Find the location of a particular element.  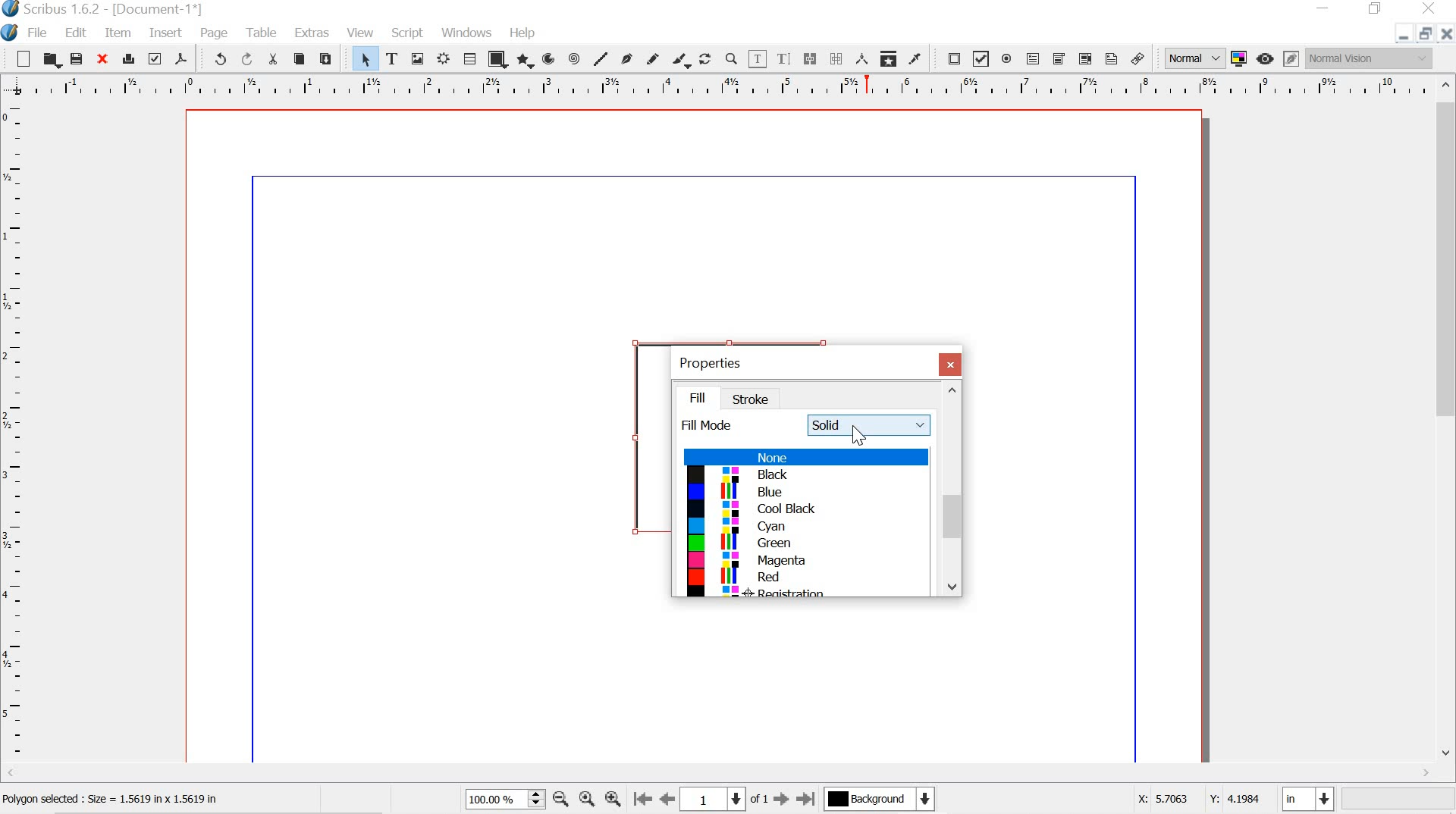

zoom to is located at coordinates (588, 800).